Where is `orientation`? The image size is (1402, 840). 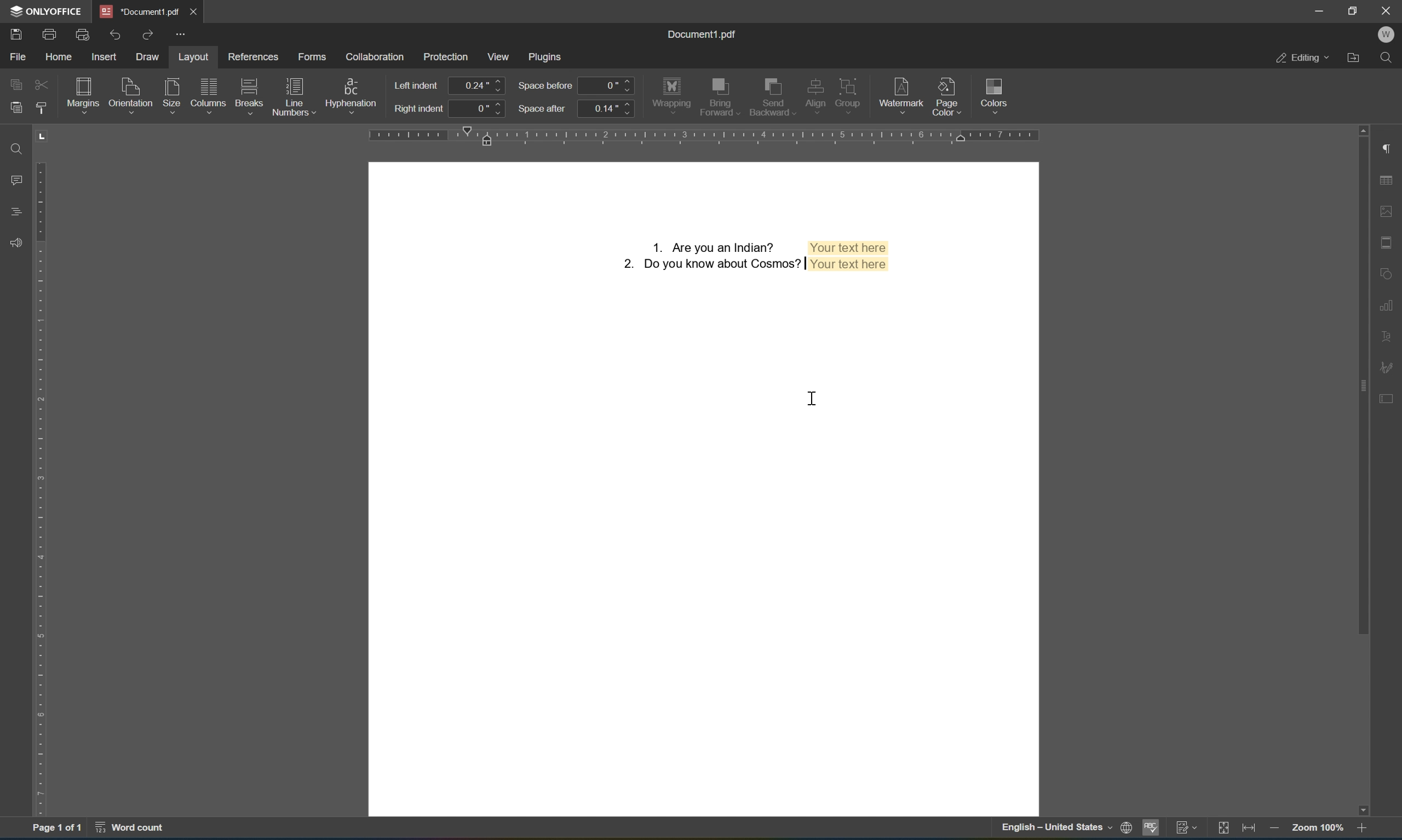
orientation is located at coordinates (130, 93).